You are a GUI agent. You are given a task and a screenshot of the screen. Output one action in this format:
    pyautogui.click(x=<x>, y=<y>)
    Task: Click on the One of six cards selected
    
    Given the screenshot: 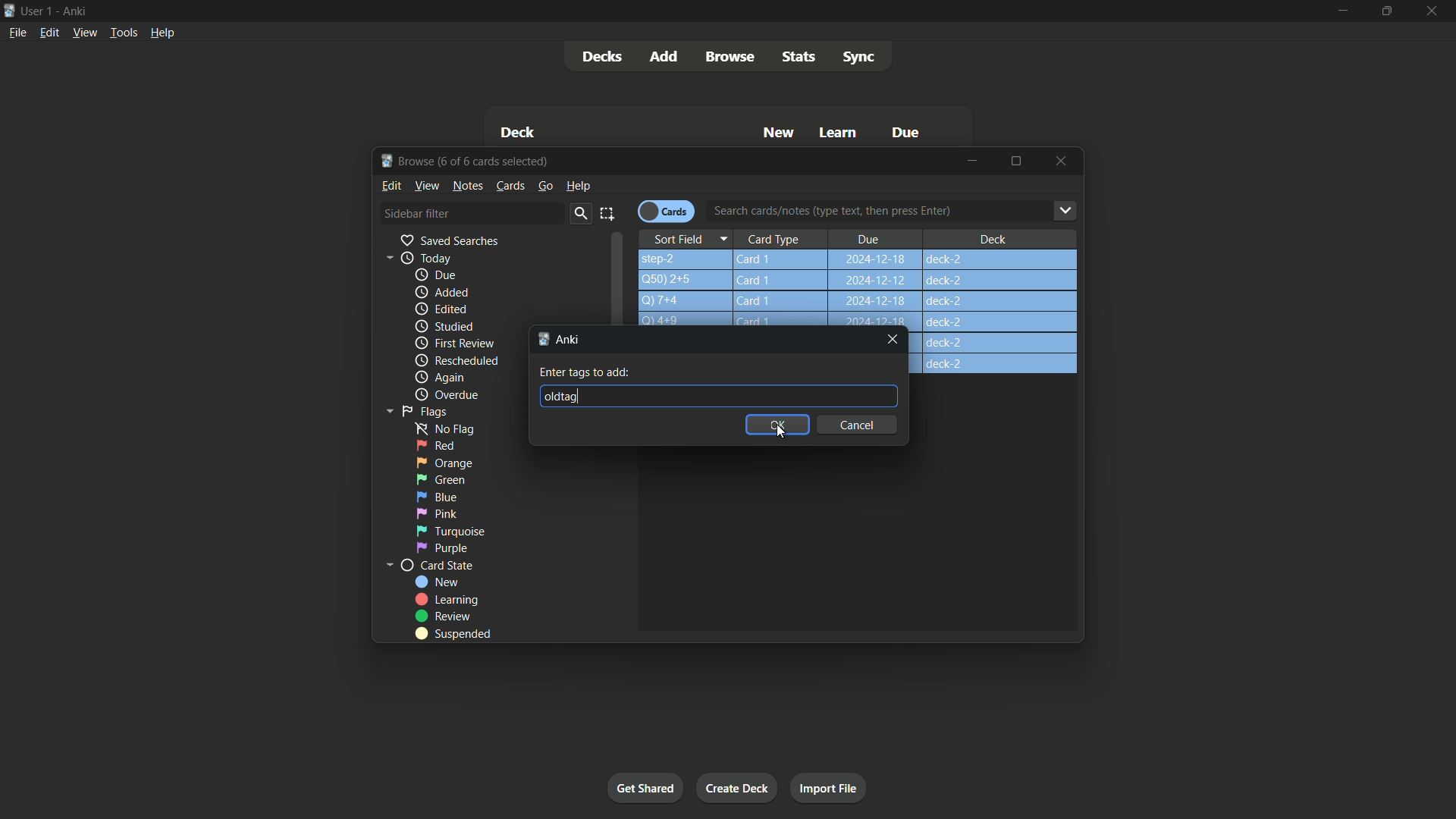 What is the action you would take?
    pyautogui.click(x=499, y=162)
    